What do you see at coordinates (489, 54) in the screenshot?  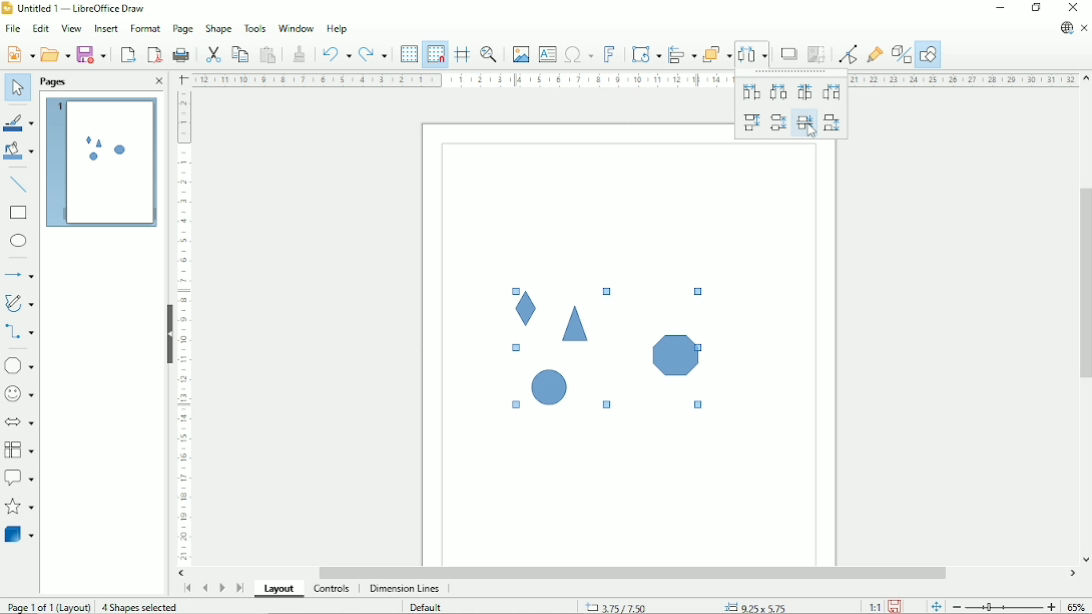 I see `Zoom & pan` at bounding box center [489, 54].